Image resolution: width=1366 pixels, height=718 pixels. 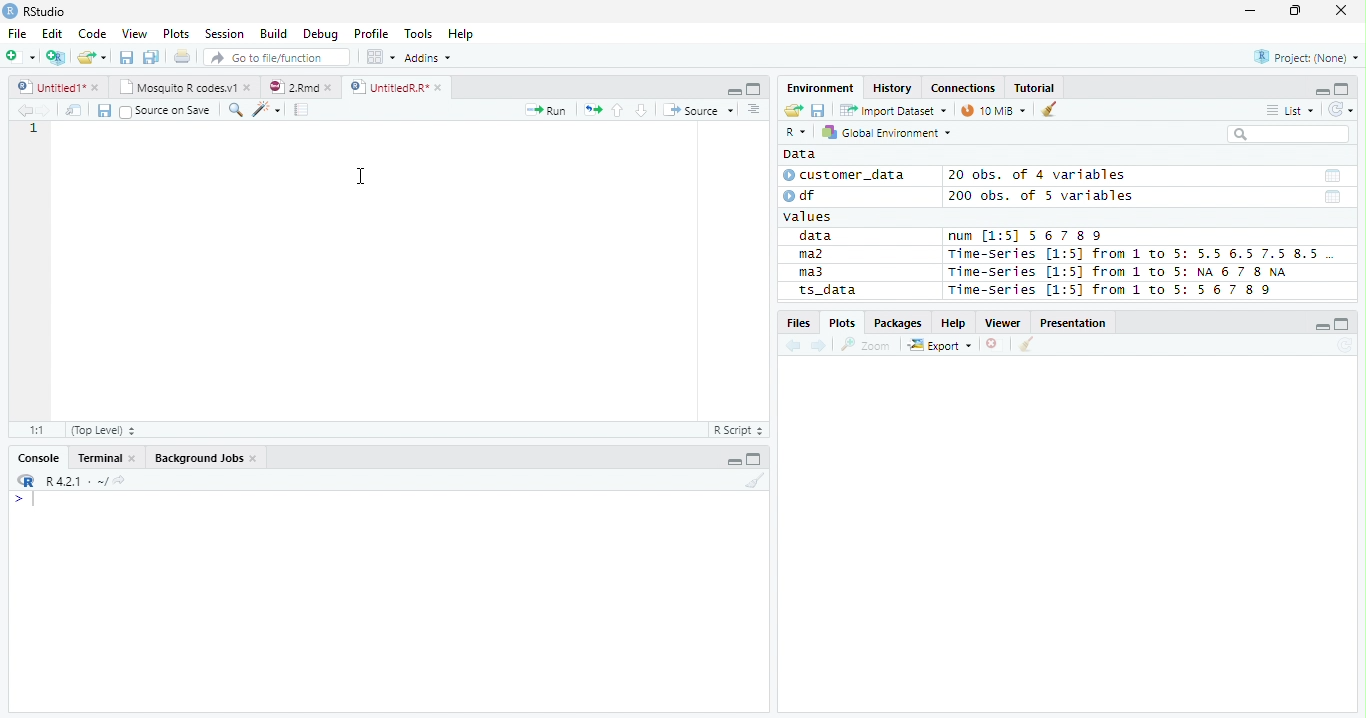 I want to click on Project (none), so click(x=1309, y=55).